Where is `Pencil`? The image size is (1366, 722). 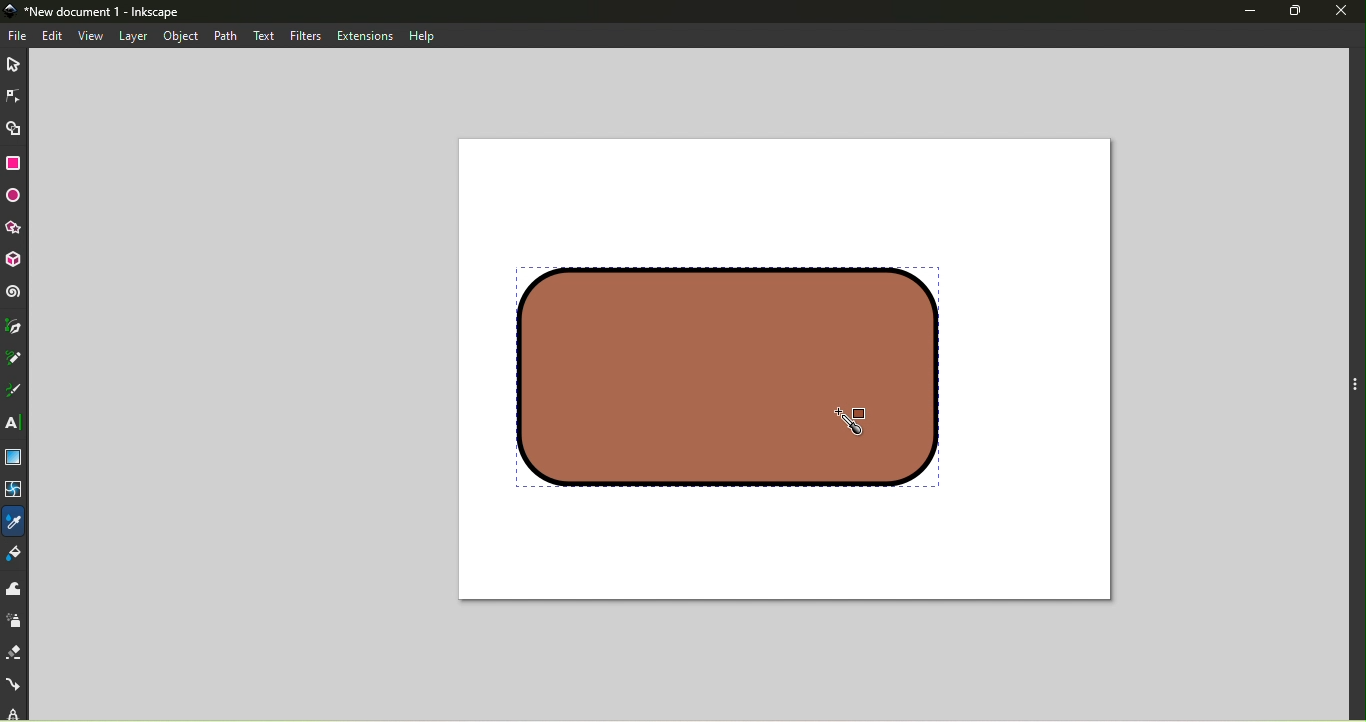 Pencil is located at coordinates (16, 360).